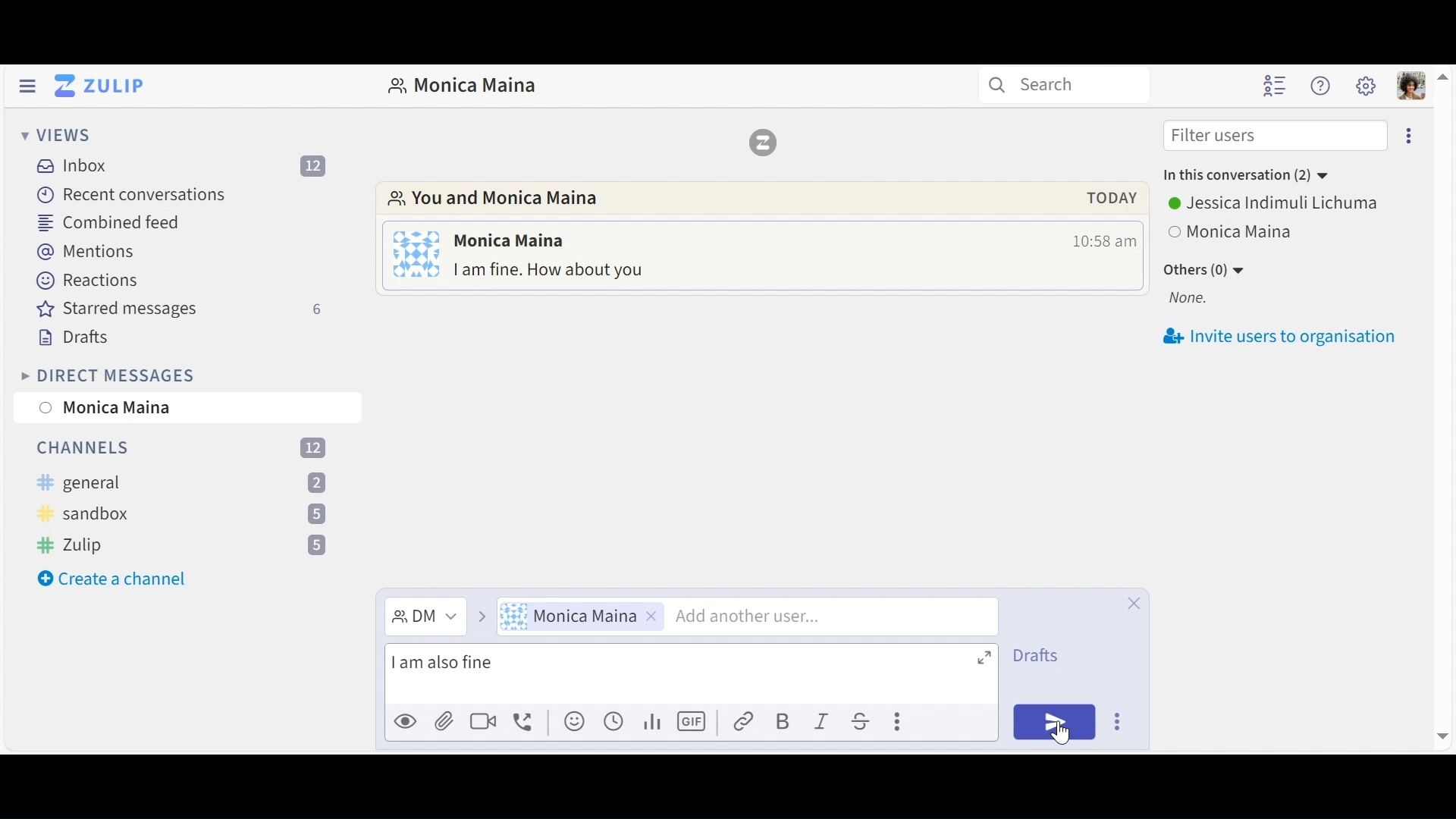 The height and width of the screenshot is (819, 1456). I want to click on Direct Message dropdown menu, so click(422, 617).